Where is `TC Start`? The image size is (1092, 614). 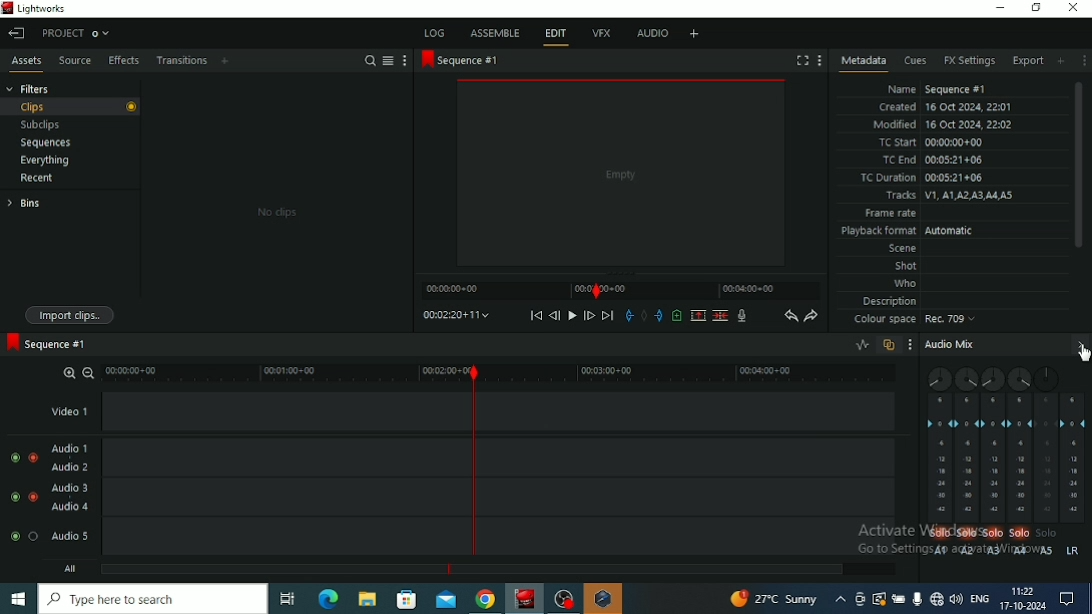
TC Start is located at coordinates (934, 143).